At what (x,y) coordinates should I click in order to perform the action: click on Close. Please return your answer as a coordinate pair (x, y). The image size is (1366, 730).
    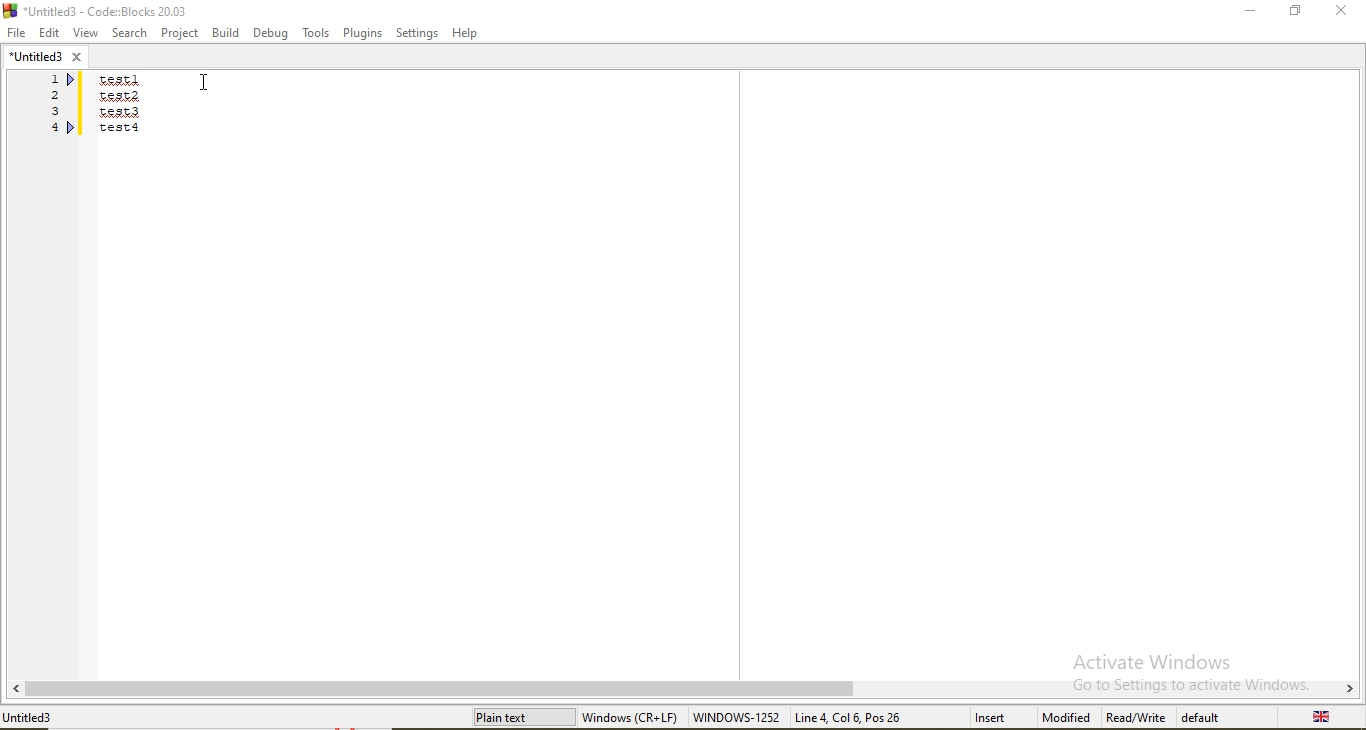
    Looking at the image, I should click on (1340, 11).